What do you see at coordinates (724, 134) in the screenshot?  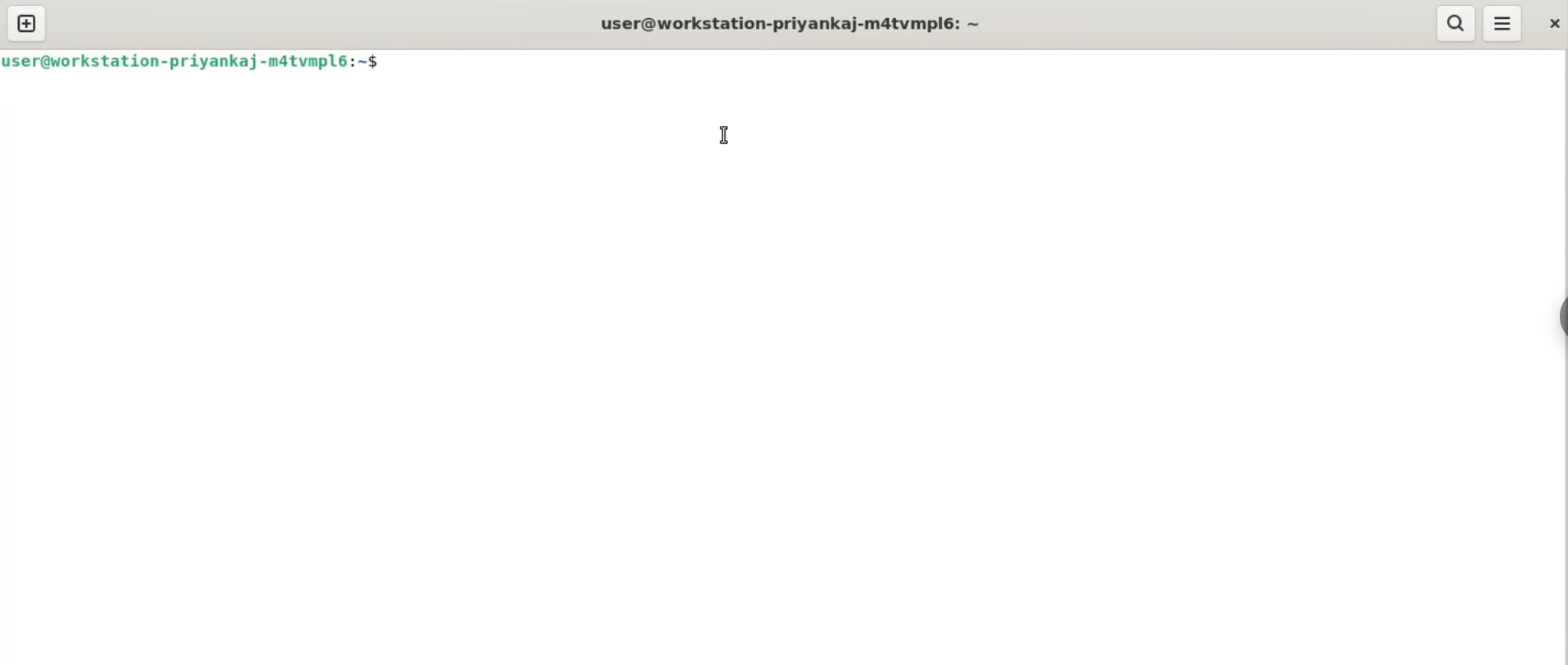 I see `cursor` at bounding box center [724, 134].